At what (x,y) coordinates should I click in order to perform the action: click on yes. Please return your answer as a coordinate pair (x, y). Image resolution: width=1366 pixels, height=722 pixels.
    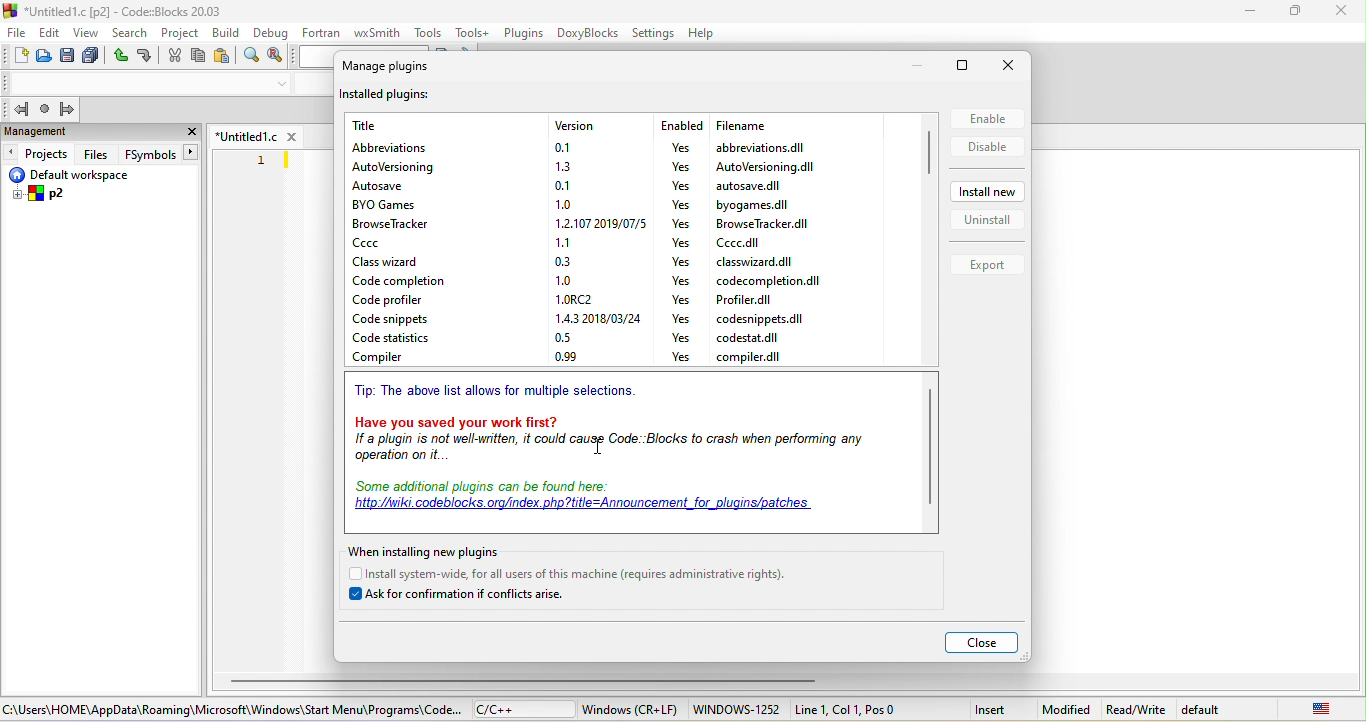
    Looking at the image, I should click on (680, 300).